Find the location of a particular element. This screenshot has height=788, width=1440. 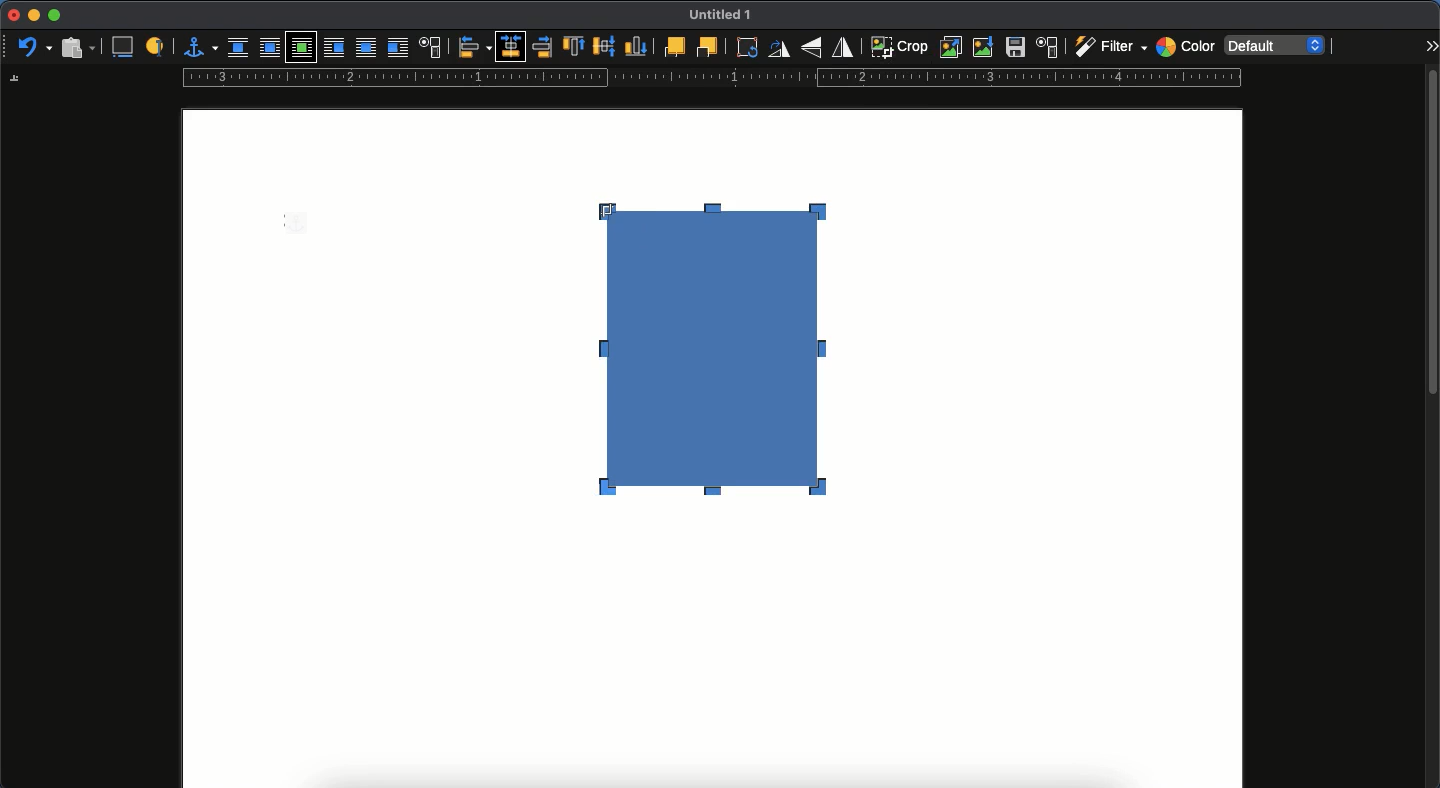

before is located at coordinates (333, 49).